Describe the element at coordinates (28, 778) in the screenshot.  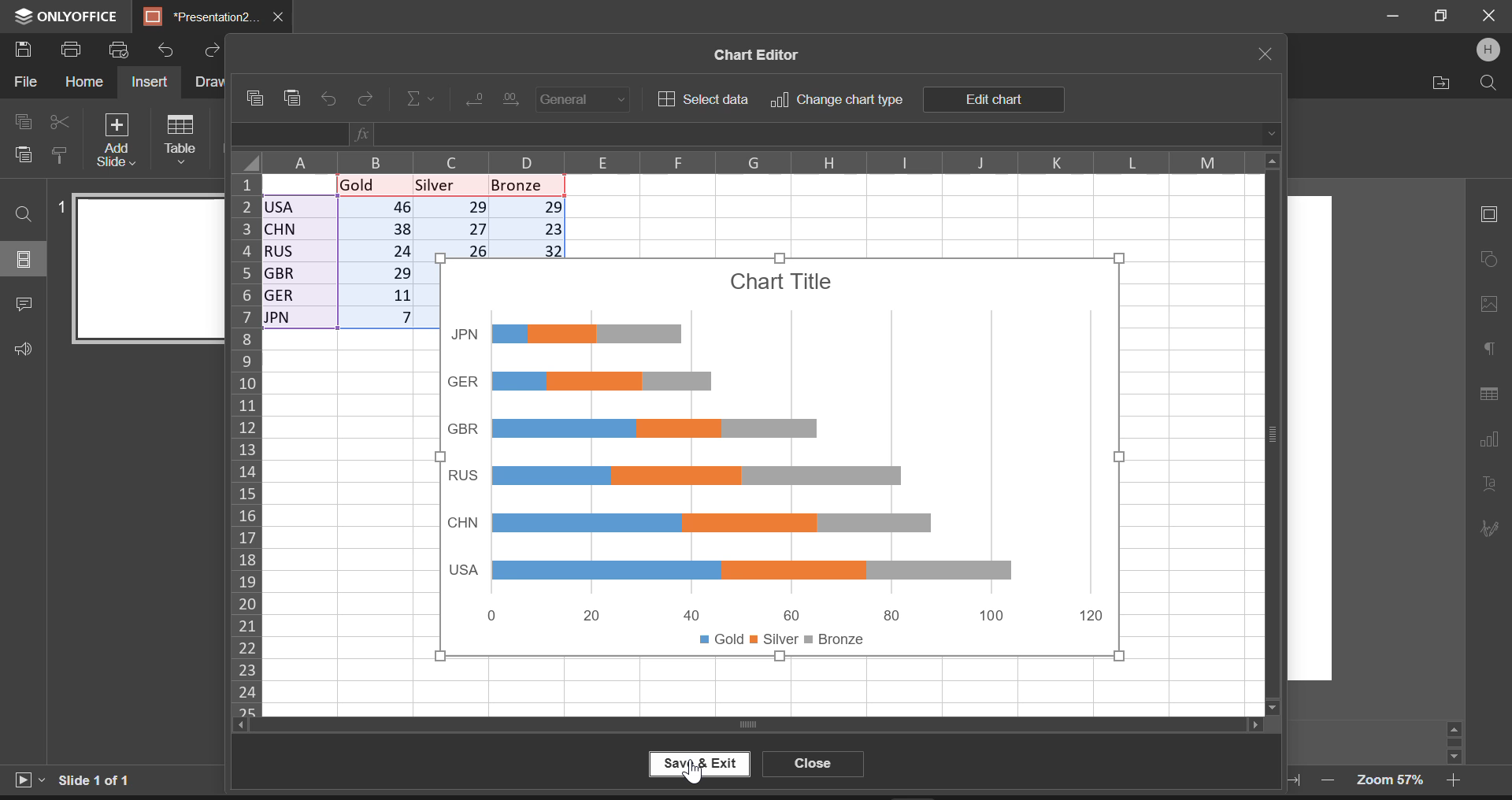
I see `Start Slideshow` at that location.